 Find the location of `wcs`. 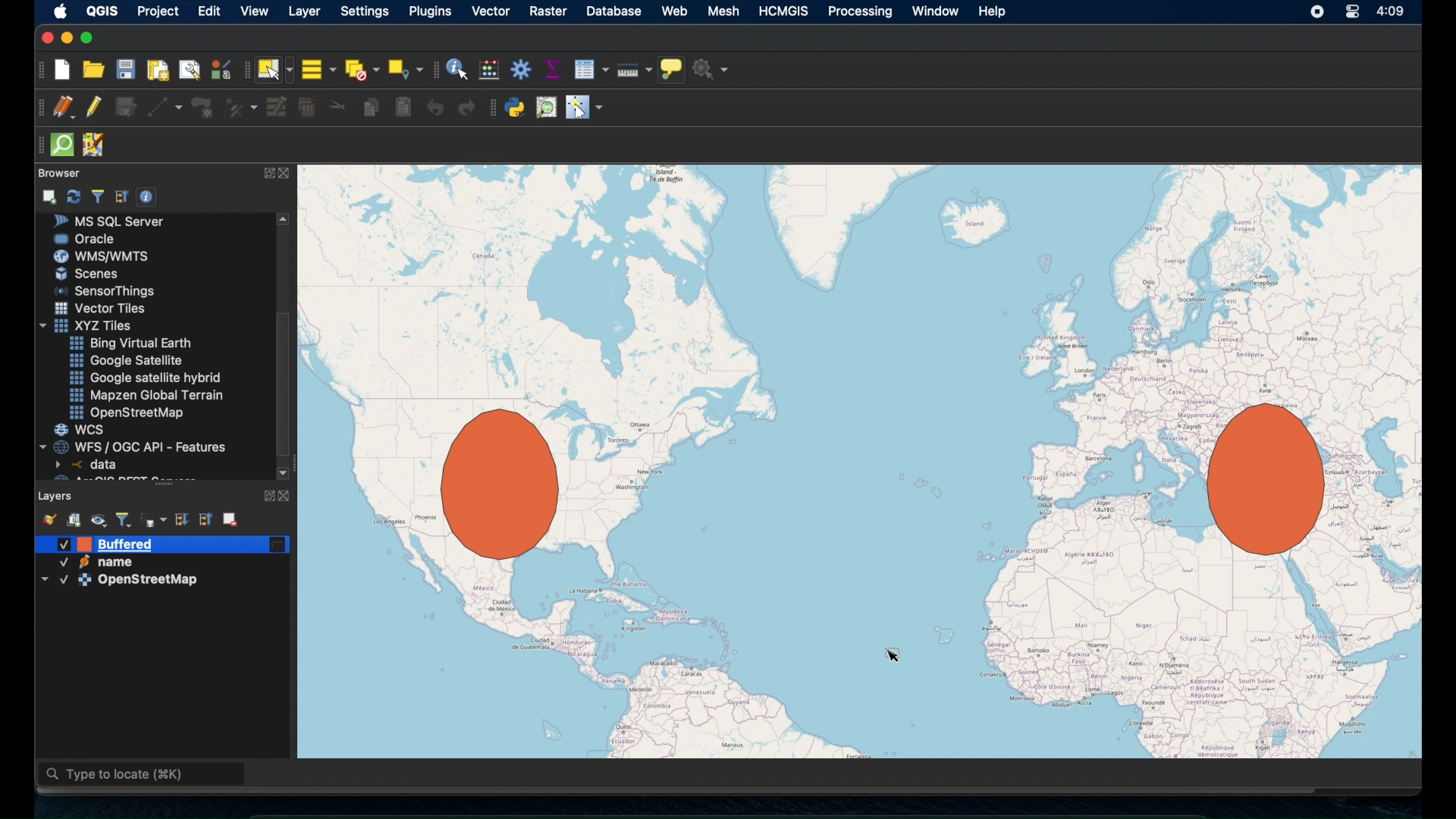

wcs is located at coordinates (81, 430).